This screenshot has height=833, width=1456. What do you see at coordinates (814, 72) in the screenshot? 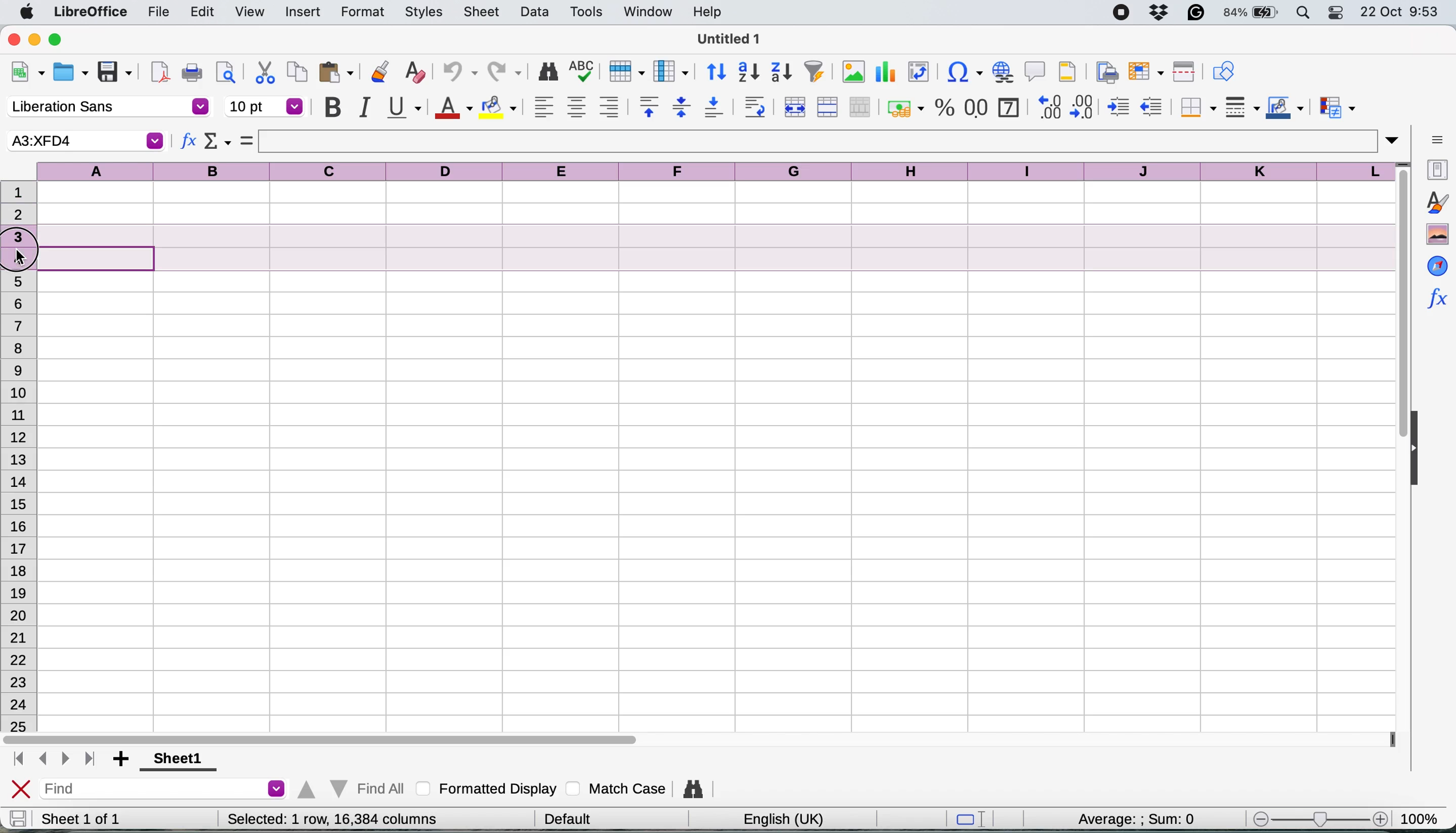
I see `autofilter` at bounding box center [814, 72].